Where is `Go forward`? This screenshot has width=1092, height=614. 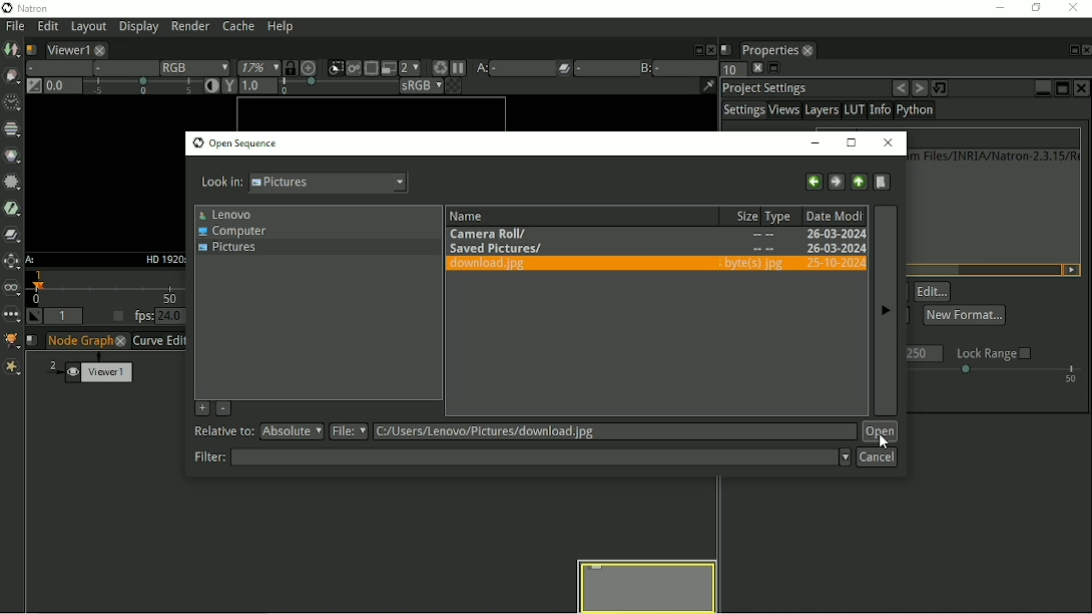
Go forward is located at coordinates (835, 180).